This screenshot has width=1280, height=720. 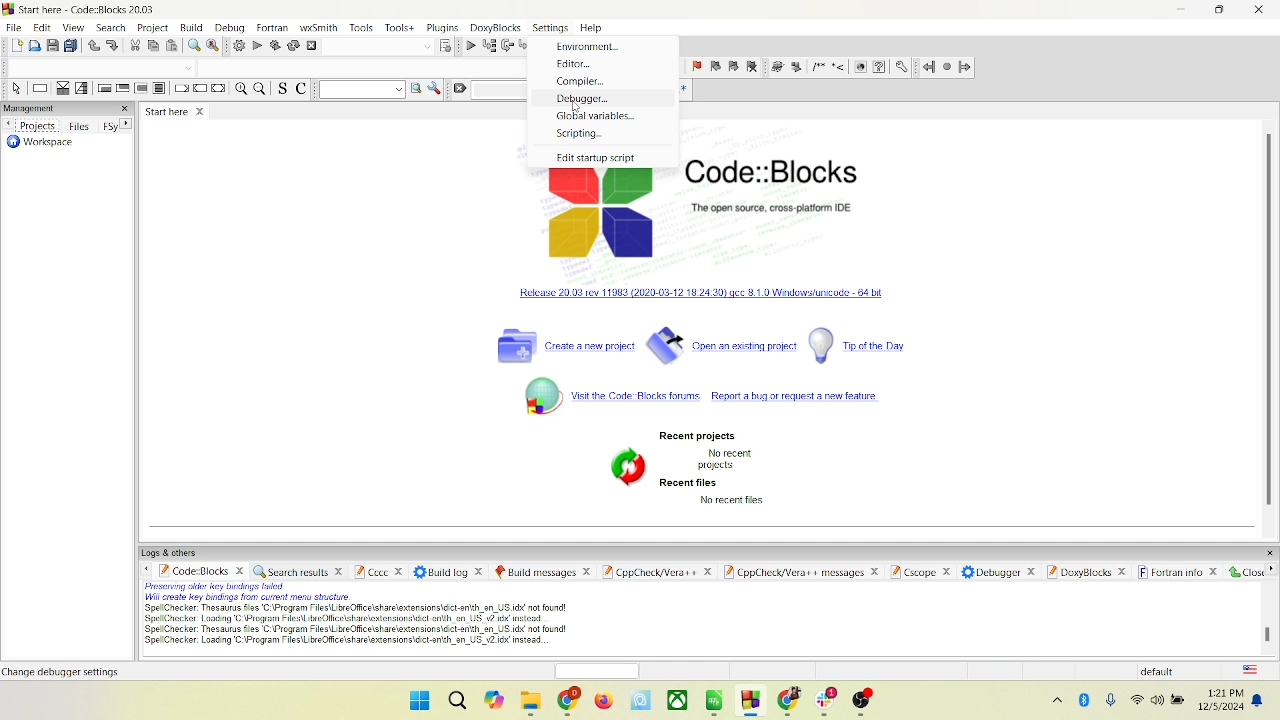 What do you see at coordinates (928, 66) in the screenshot?
I see `jump back` at bounding box center [928, 66].